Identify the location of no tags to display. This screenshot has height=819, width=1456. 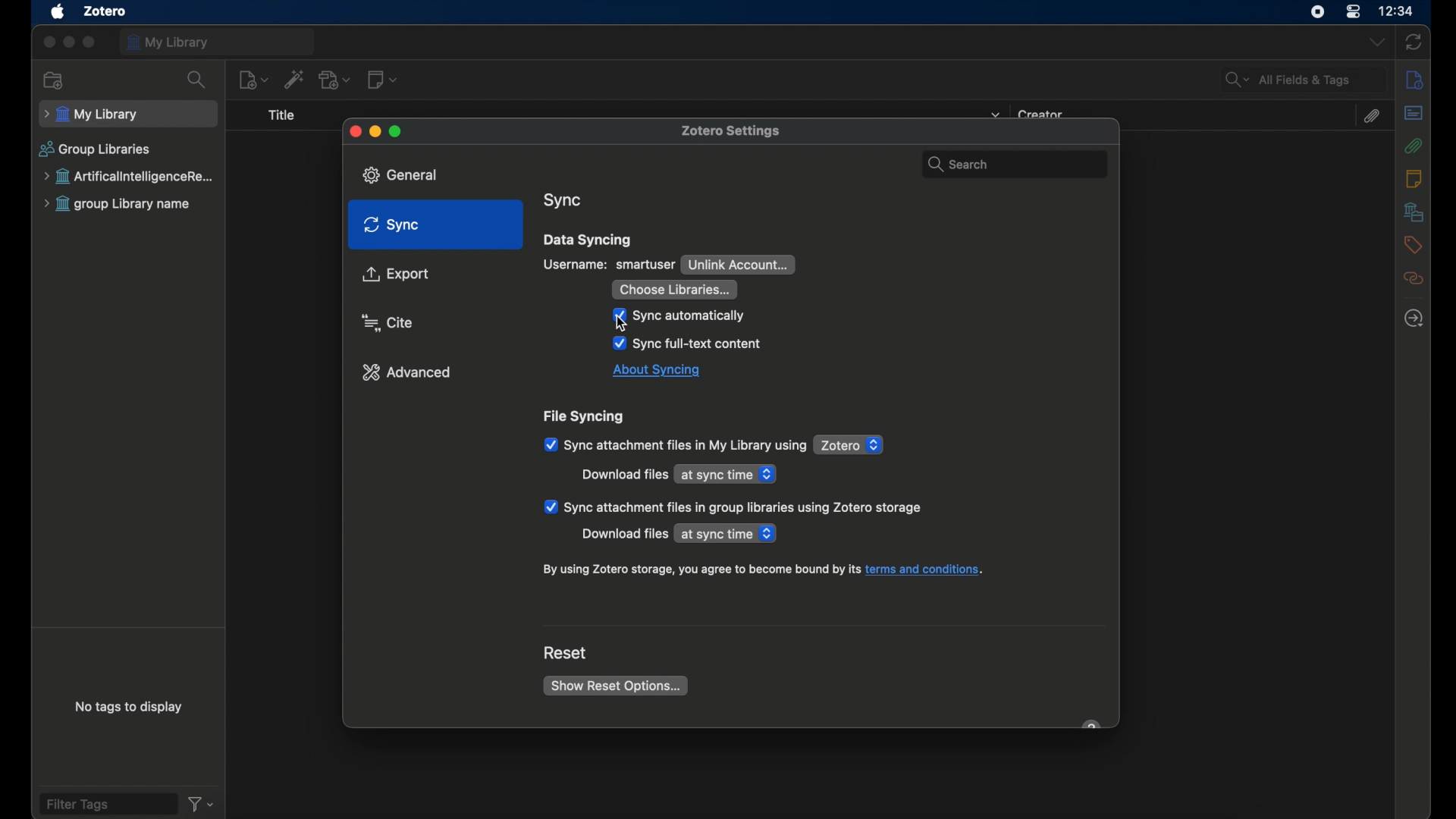
(127, 707).